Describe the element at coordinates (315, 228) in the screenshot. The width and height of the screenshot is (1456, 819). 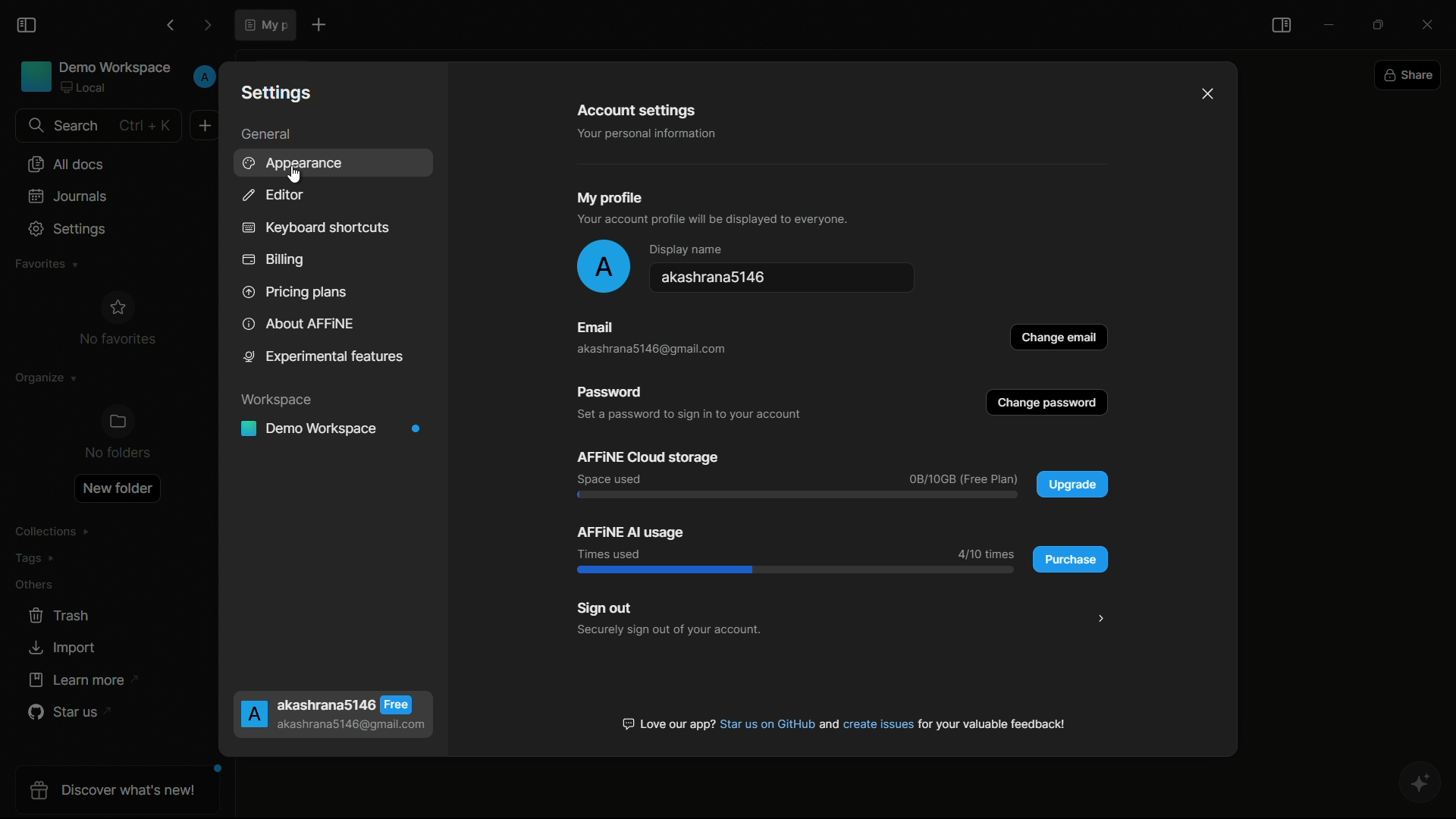
I see `keyboard shortcuts` at that location.